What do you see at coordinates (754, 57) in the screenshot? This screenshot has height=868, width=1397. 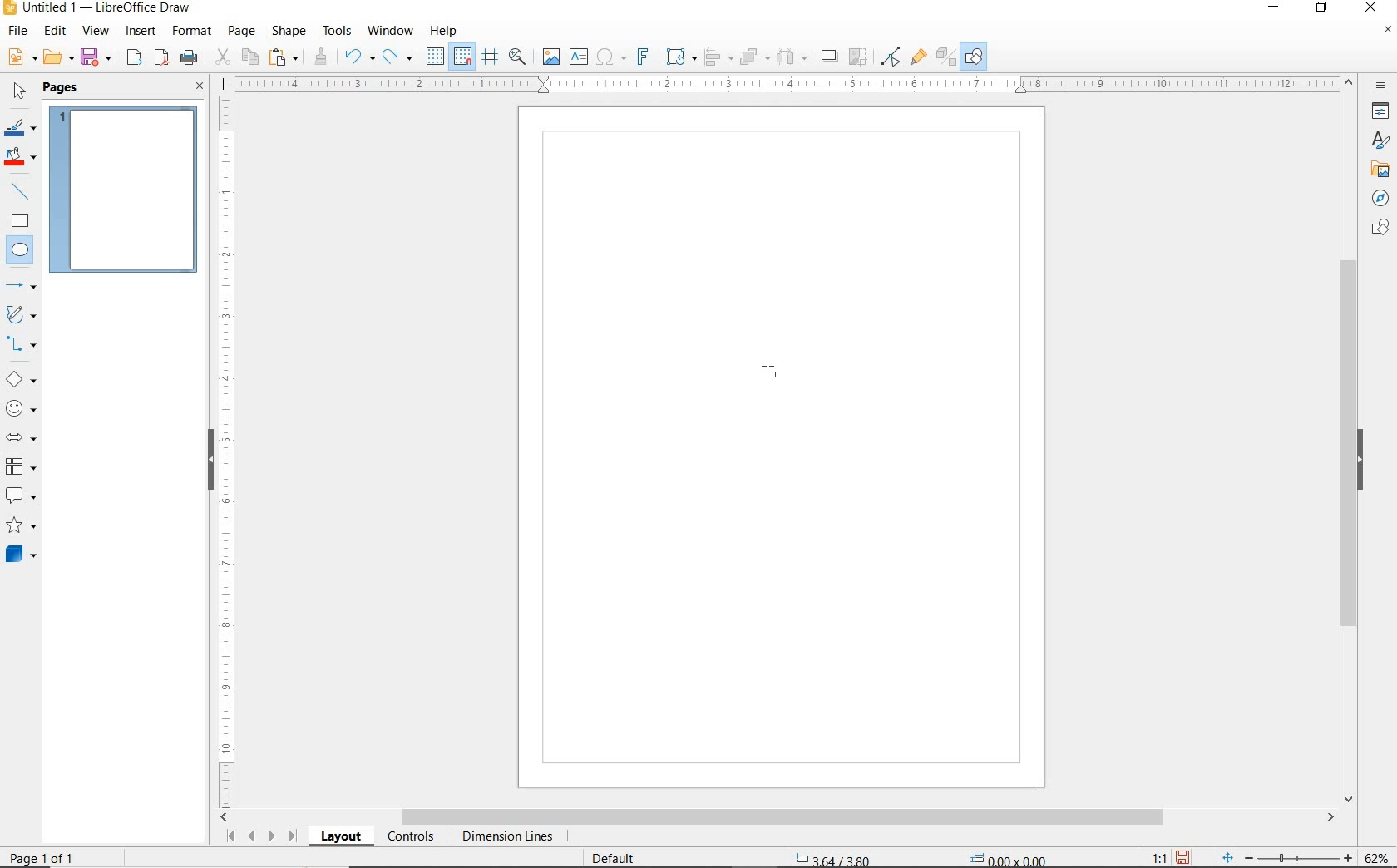 I see `ARRANGE` at bounding box center [754, 57].